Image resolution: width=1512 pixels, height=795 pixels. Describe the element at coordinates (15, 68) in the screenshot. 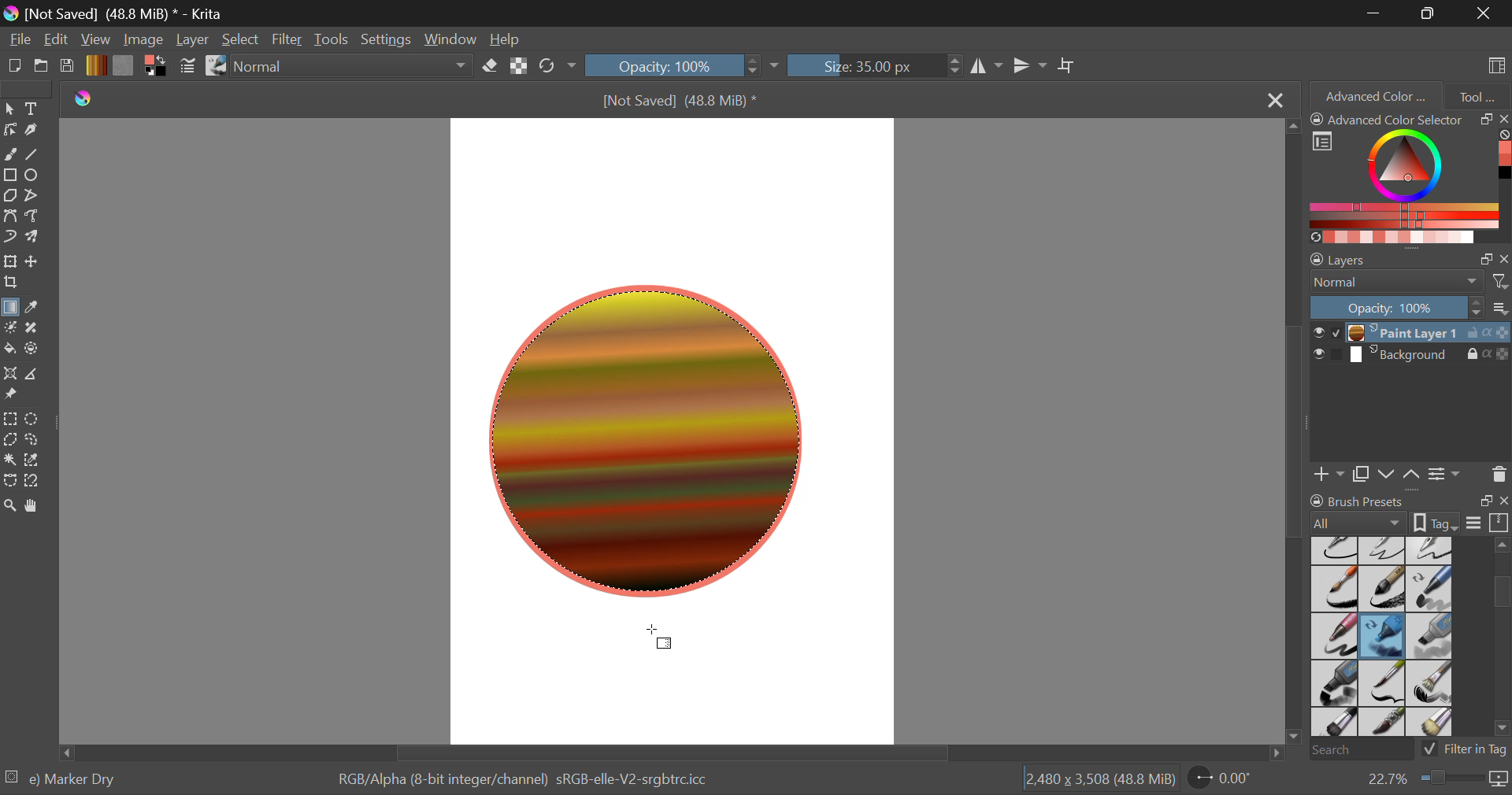

I see `New` at that location.